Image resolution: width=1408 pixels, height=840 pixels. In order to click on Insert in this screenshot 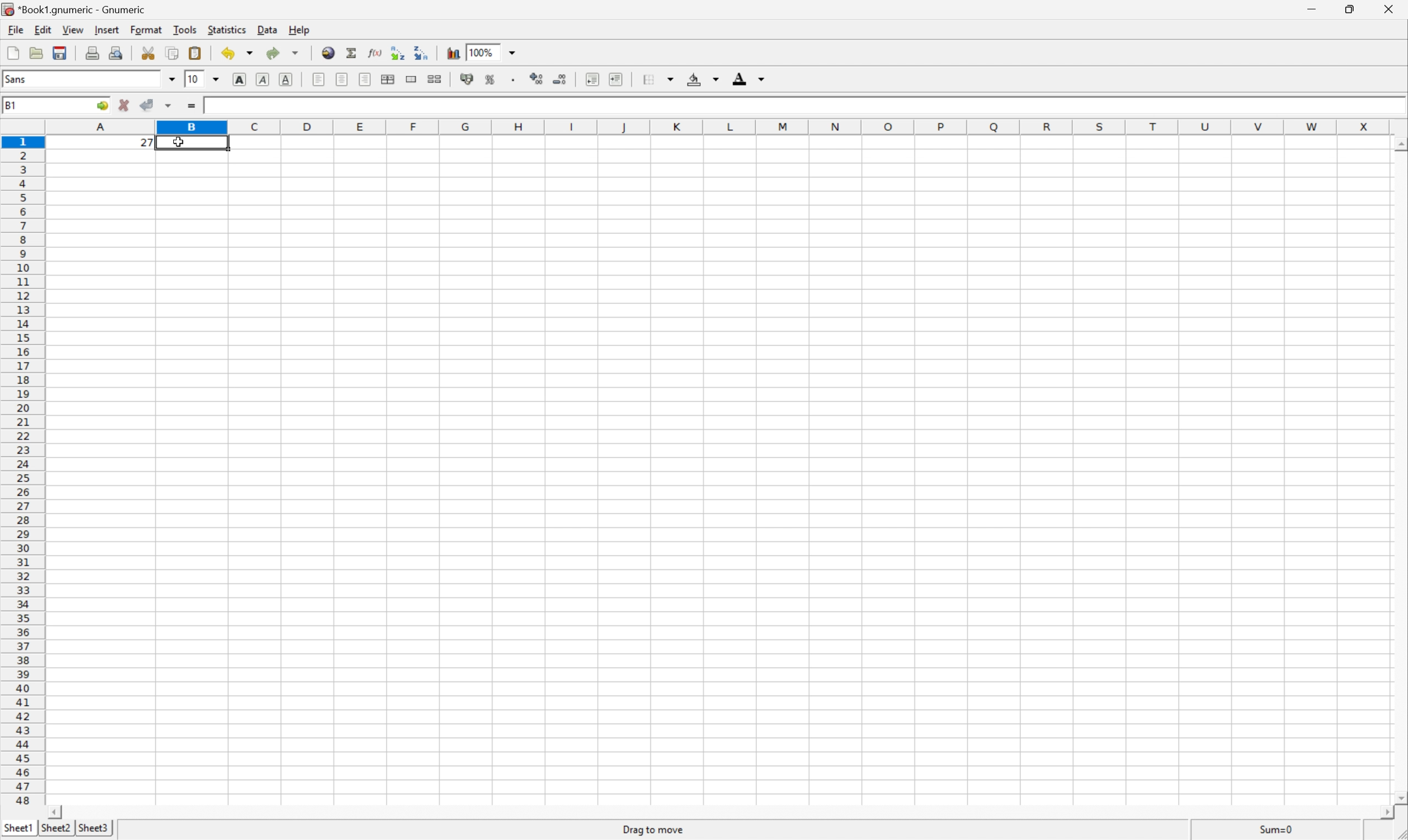, I will do `click(106, 30)`.